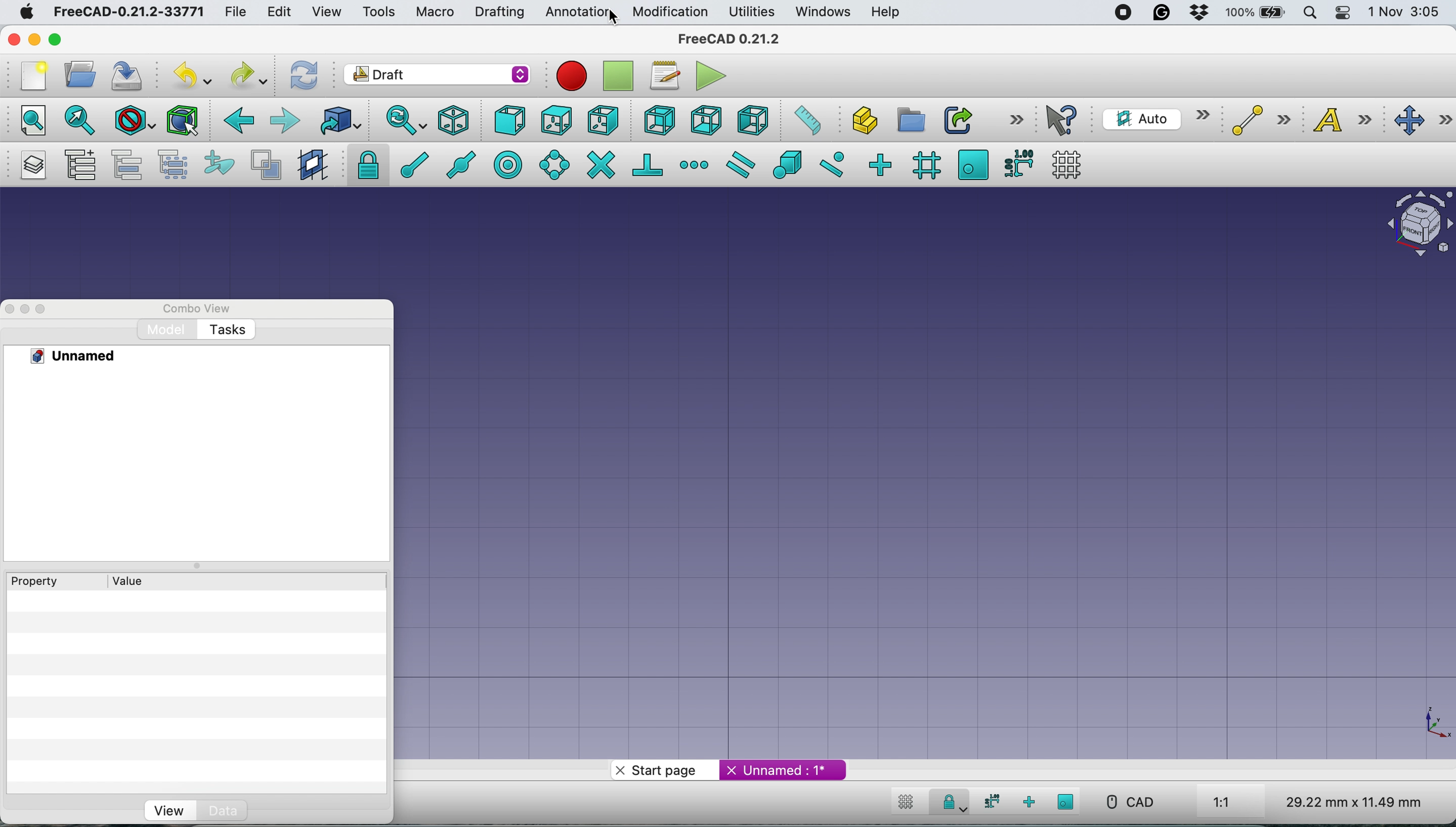 The image size is (1456, 827). I want to click on tasks, so click(228, 329).